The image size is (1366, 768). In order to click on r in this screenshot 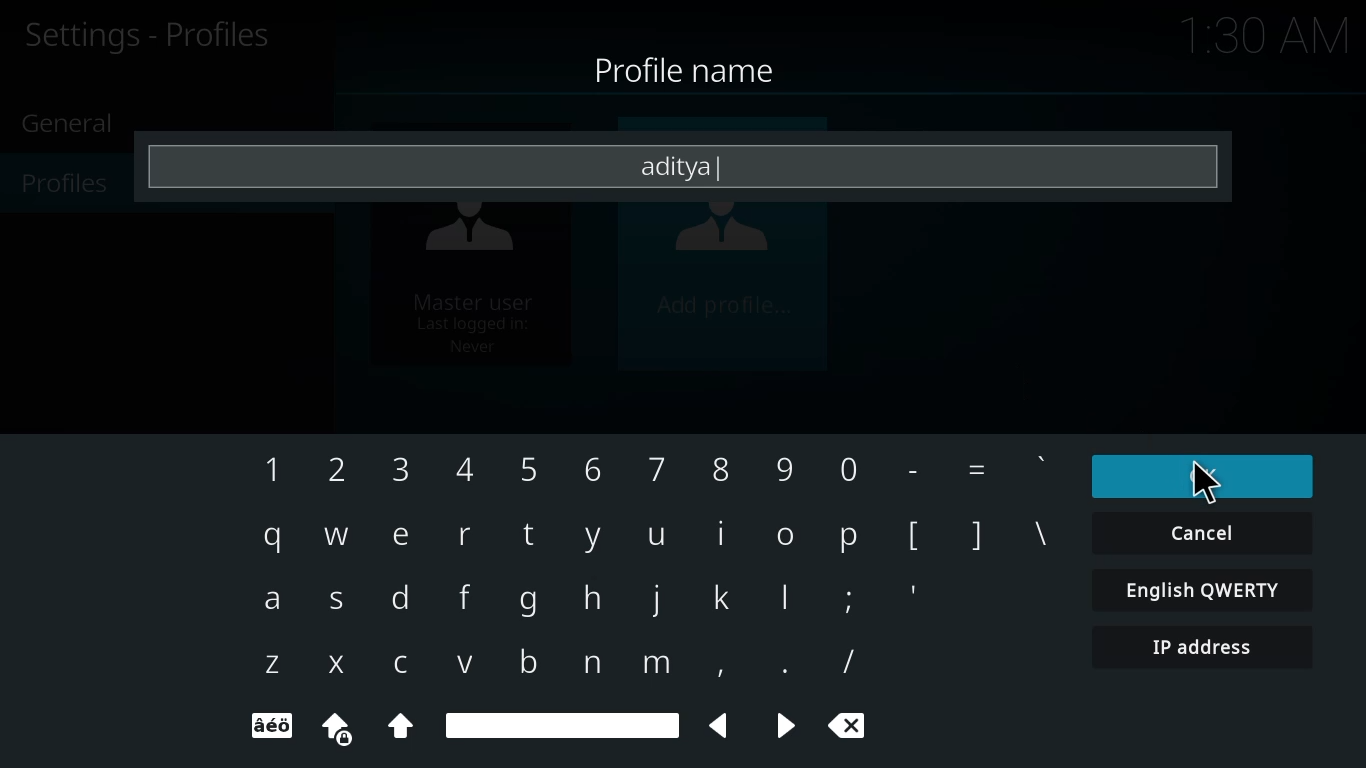, I will do `click(463, 537)`.